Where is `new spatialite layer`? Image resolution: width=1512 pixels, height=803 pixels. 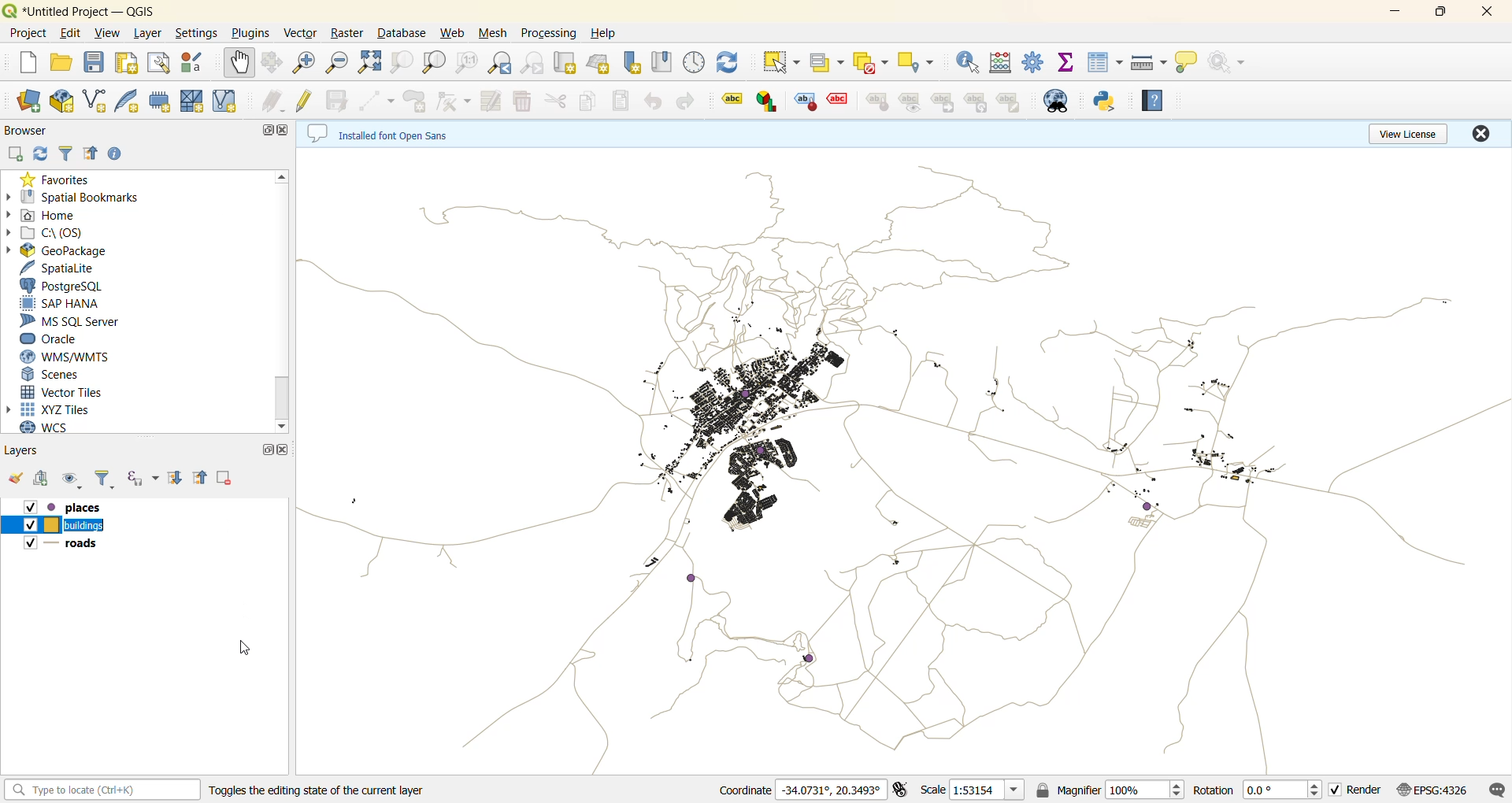
new spatialite layer is located at coordinates (128, 102).